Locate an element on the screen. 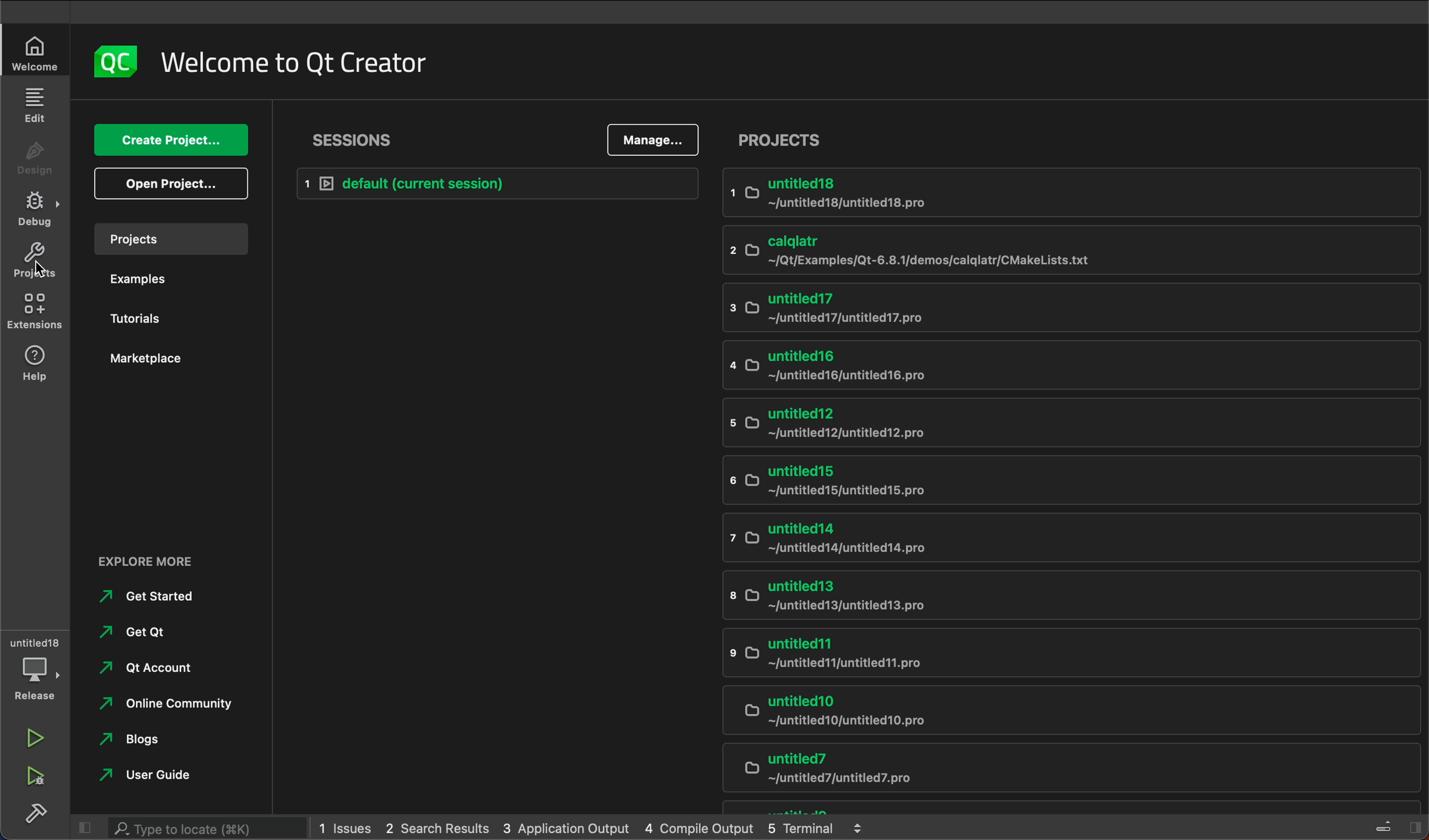 Image resolution: width=1429 pixels, height=840 pixels. manage is located at coordinates (650, 141).